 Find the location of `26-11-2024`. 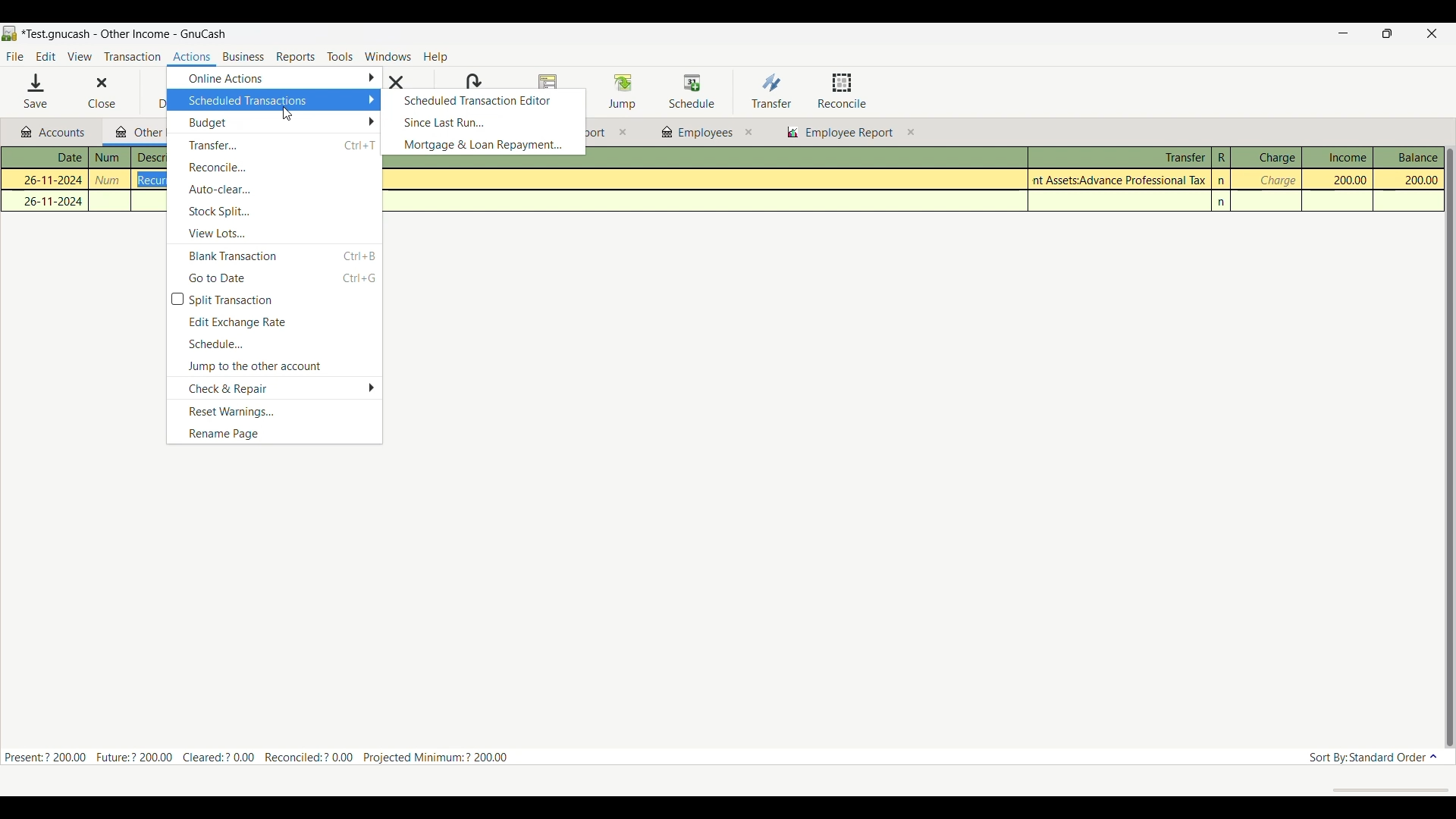

26-11-2024 is located at coordinates (49, 201).